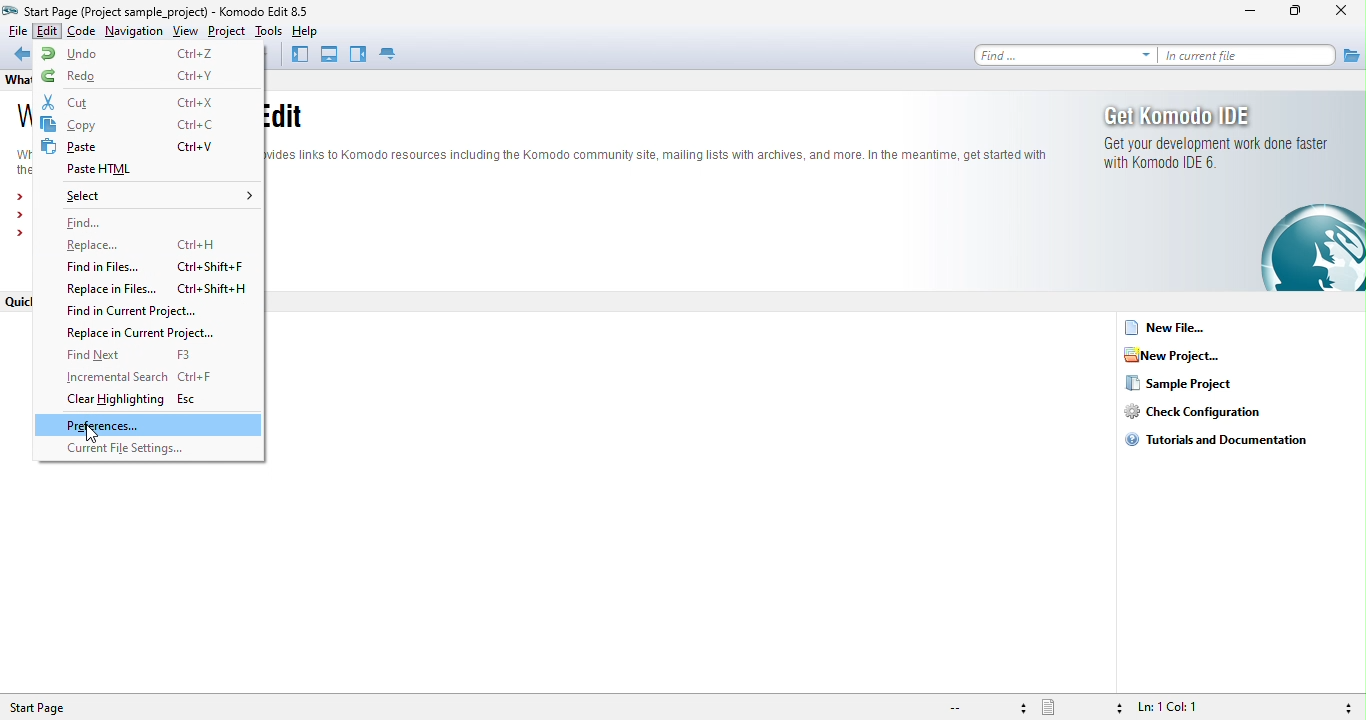 This screenshot has height=720, width=1366. I want to click on paste html, so click(137, 170).